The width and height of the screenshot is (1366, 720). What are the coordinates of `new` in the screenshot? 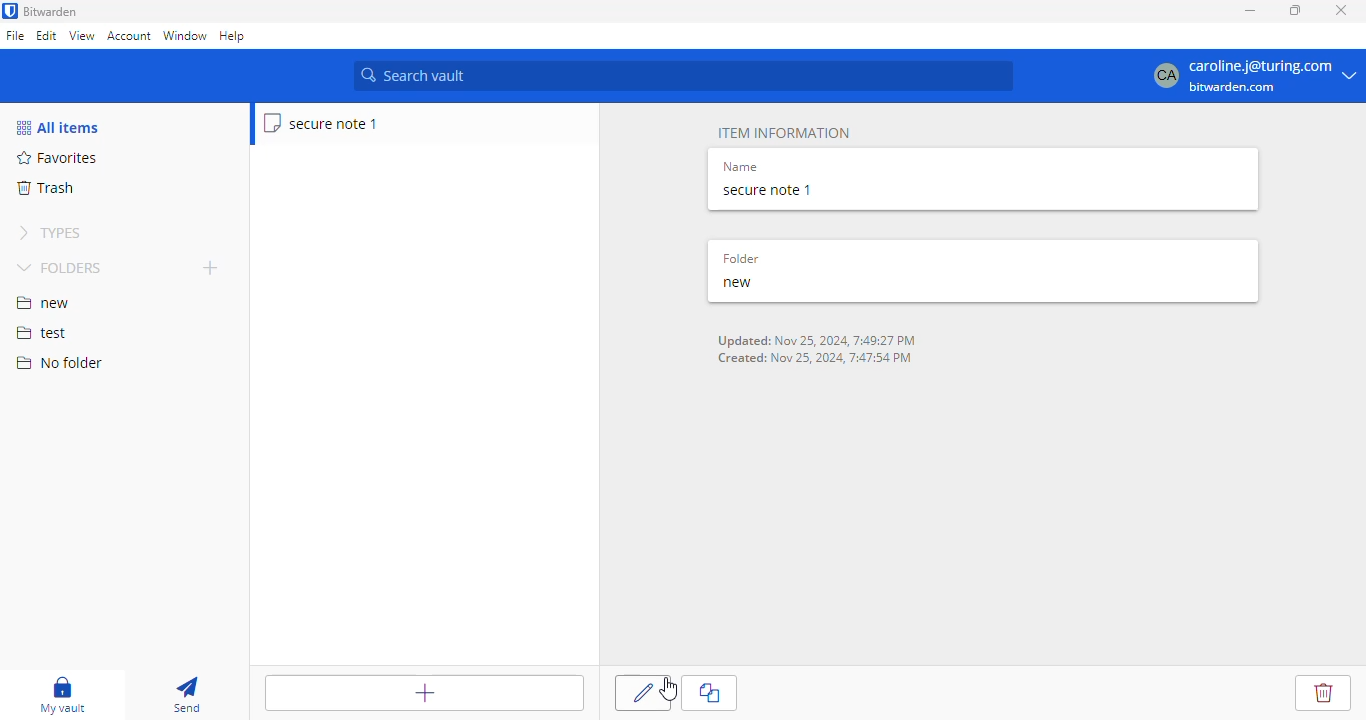 It's located at (738, 283).